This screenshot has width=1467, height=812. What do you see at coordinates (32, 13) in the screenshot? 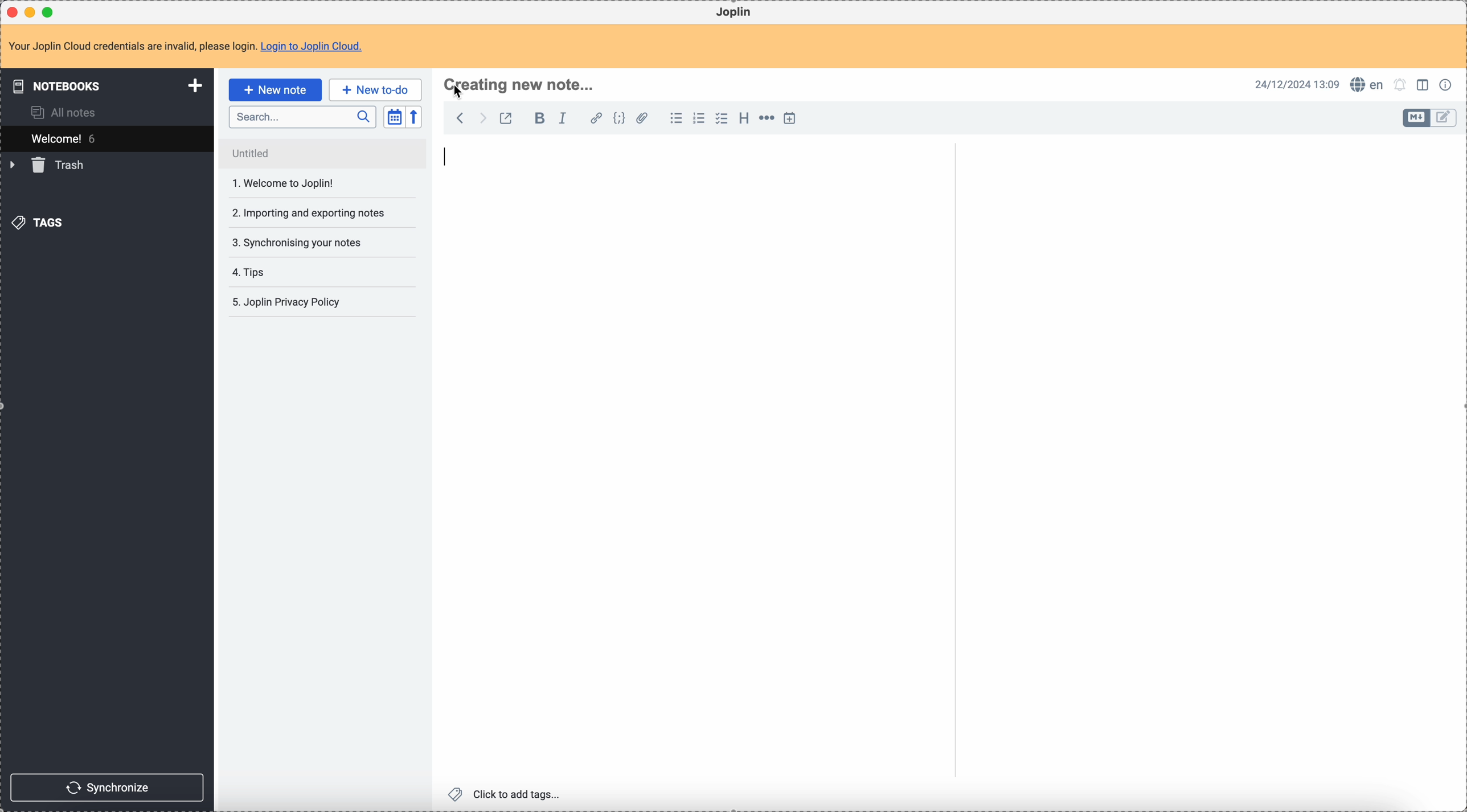
I see `minimize` at bounding box center [32, 13].